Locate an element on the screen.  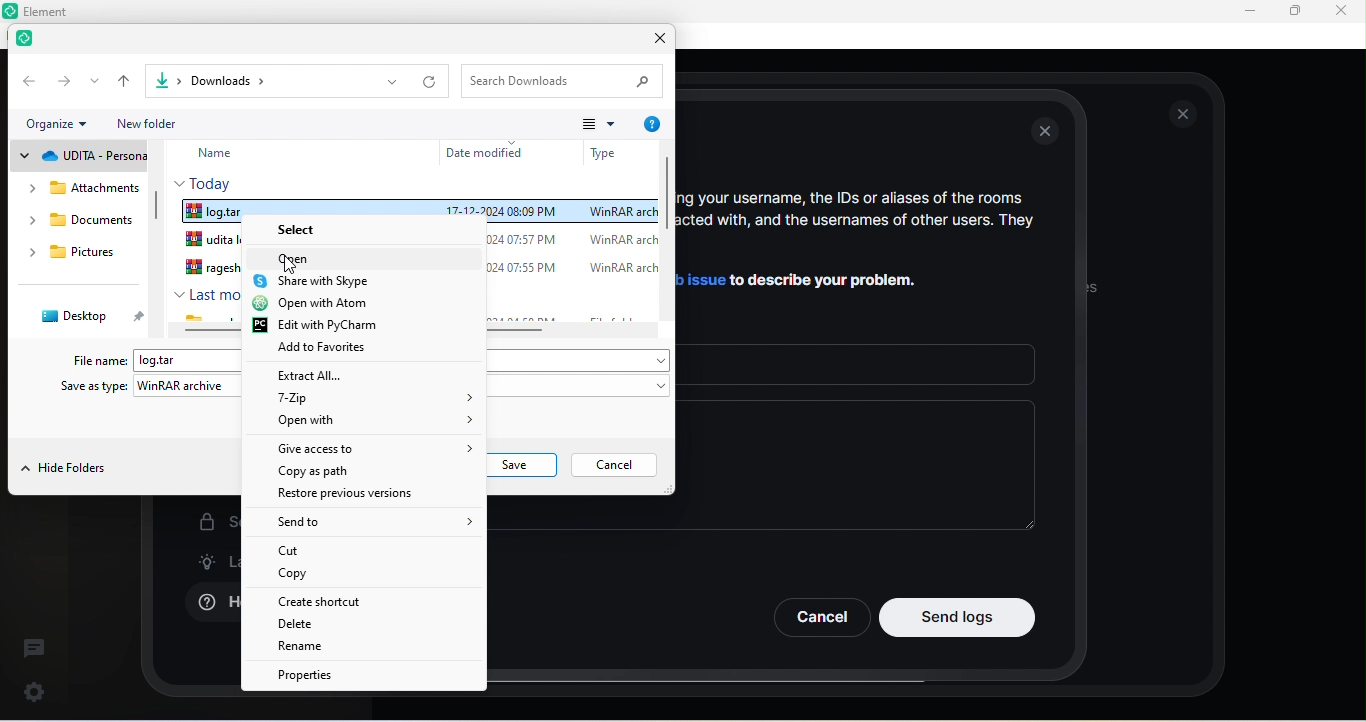
cancel is located at coordinates (619, 466).